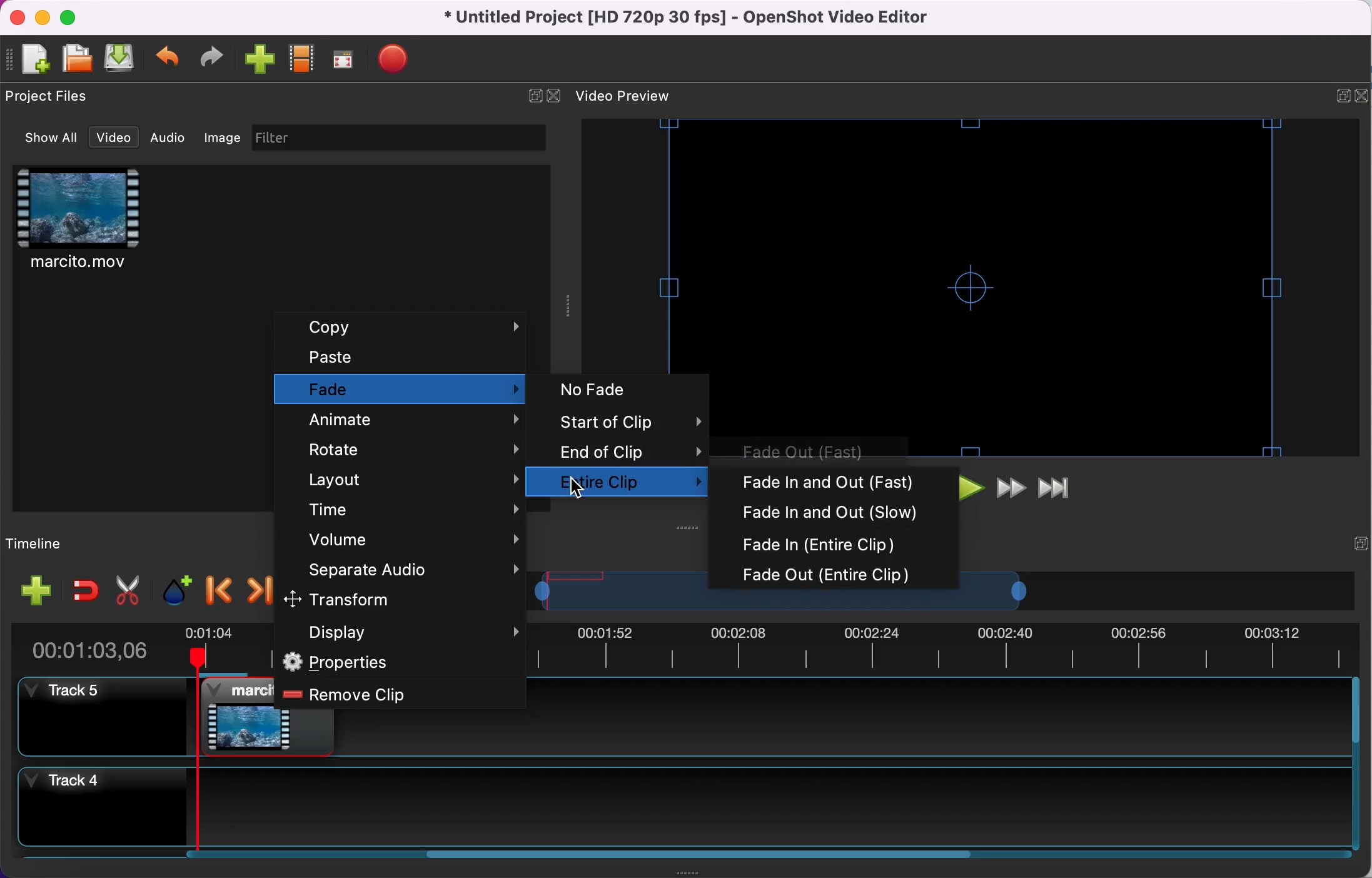 This screenshot has width=1372, height=878. I want to click on close, so click(1362, 98).